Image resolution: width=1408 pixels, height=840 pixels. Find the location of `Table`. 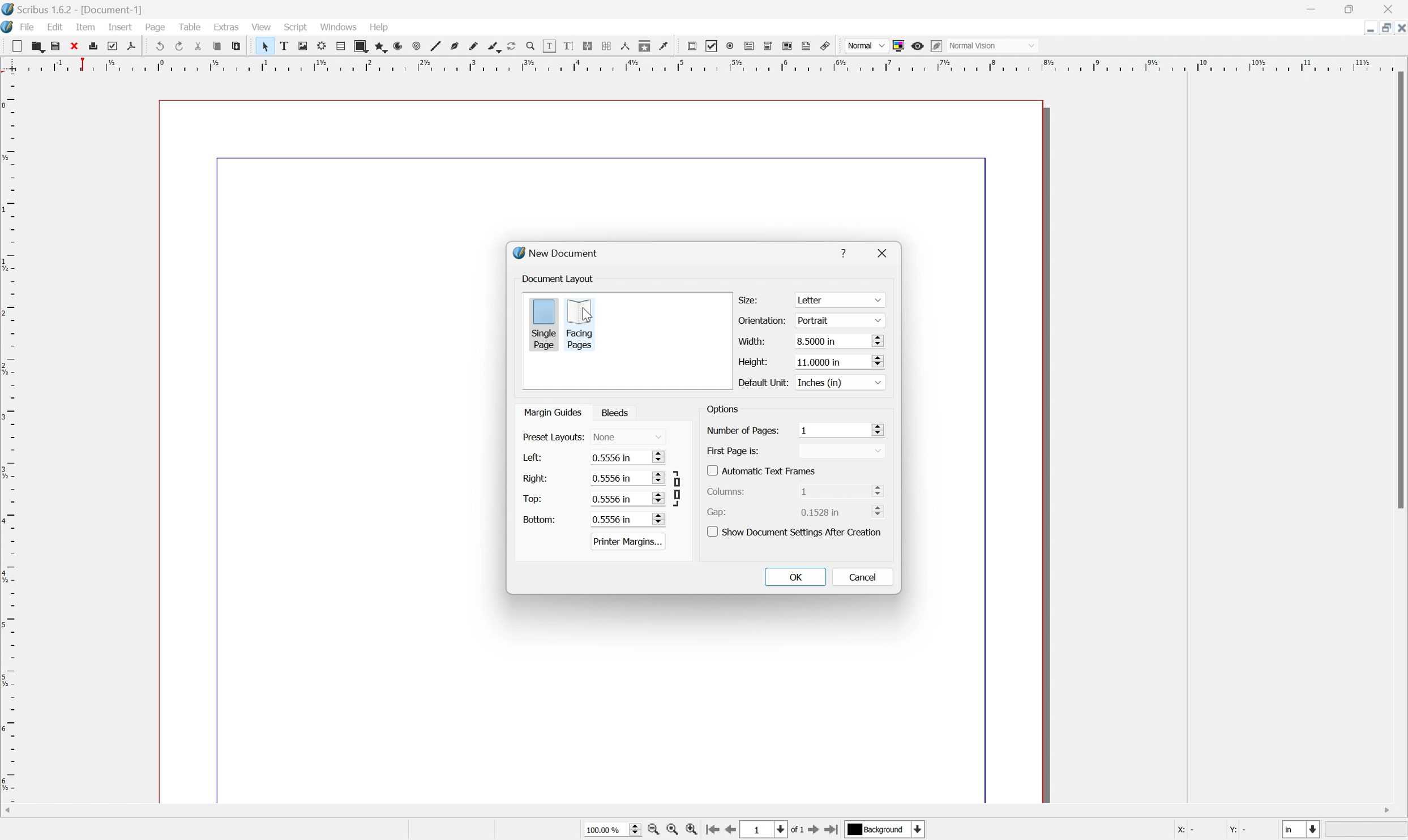

Table is located at coordinates (338, 46).